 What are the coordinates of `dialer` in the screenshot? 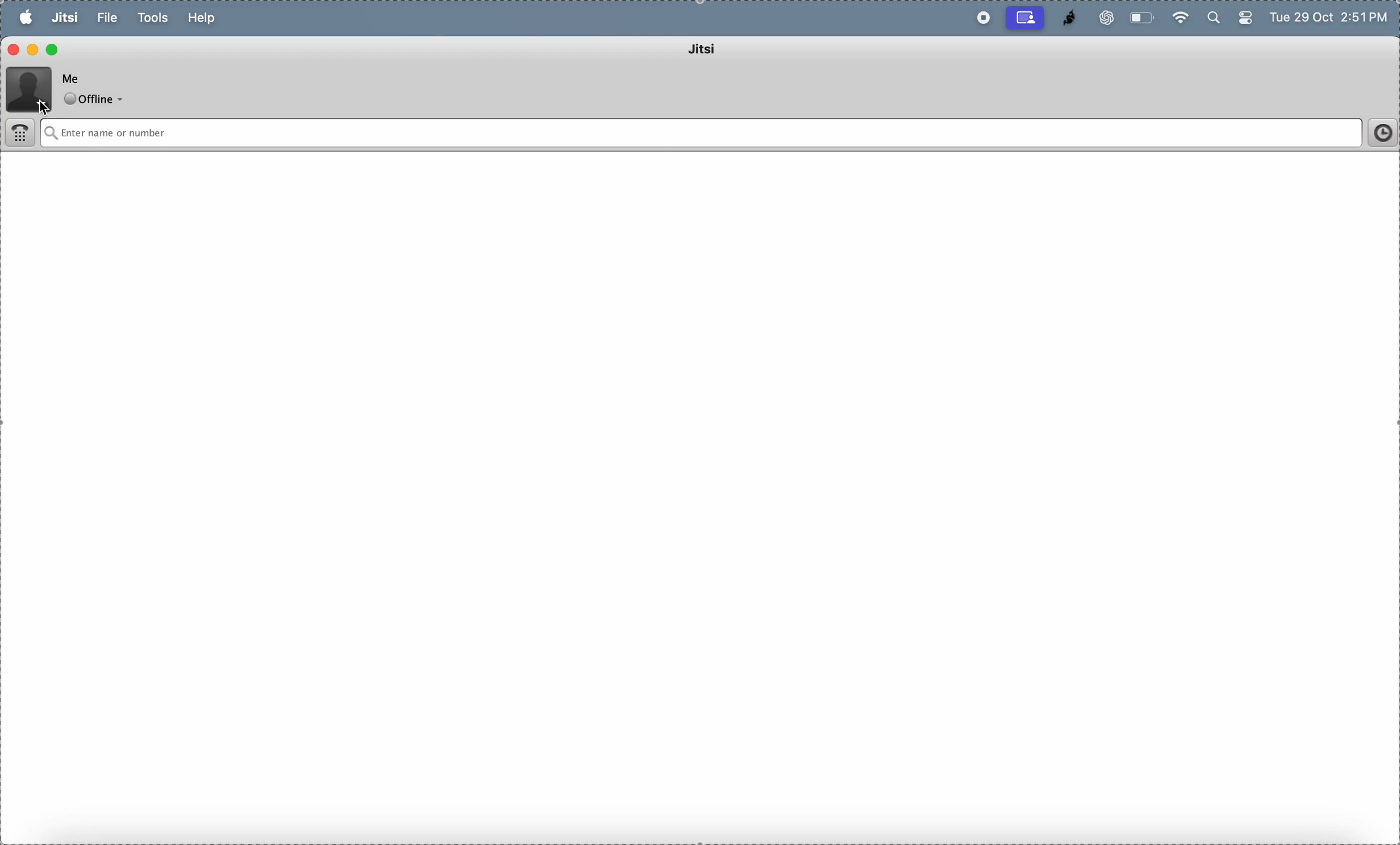 It's located at (22, 135).